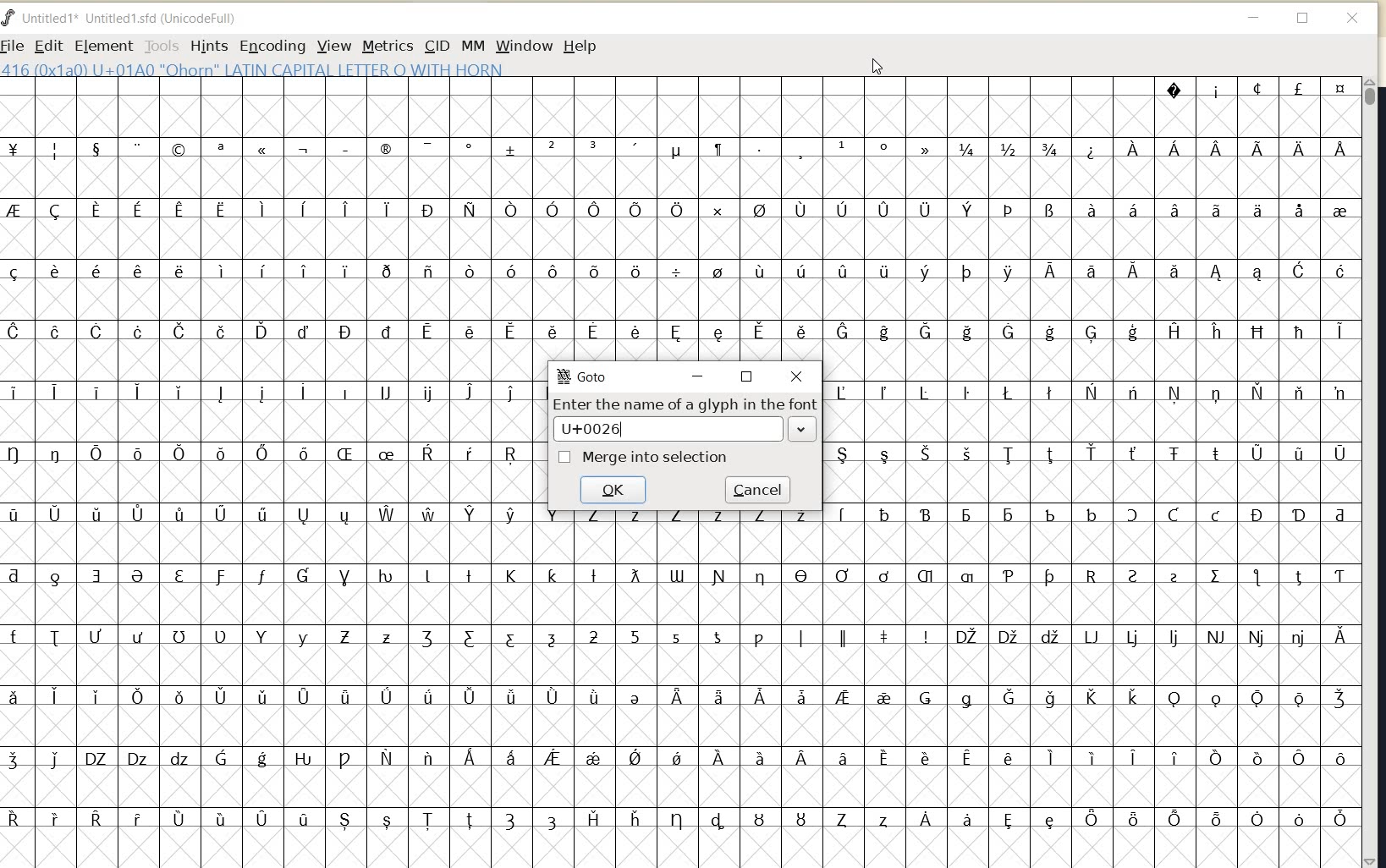 Image resolution: width=1386 pixels, height=868 pixels. I want to click on GLYPHY INFO, so click(254, 70).